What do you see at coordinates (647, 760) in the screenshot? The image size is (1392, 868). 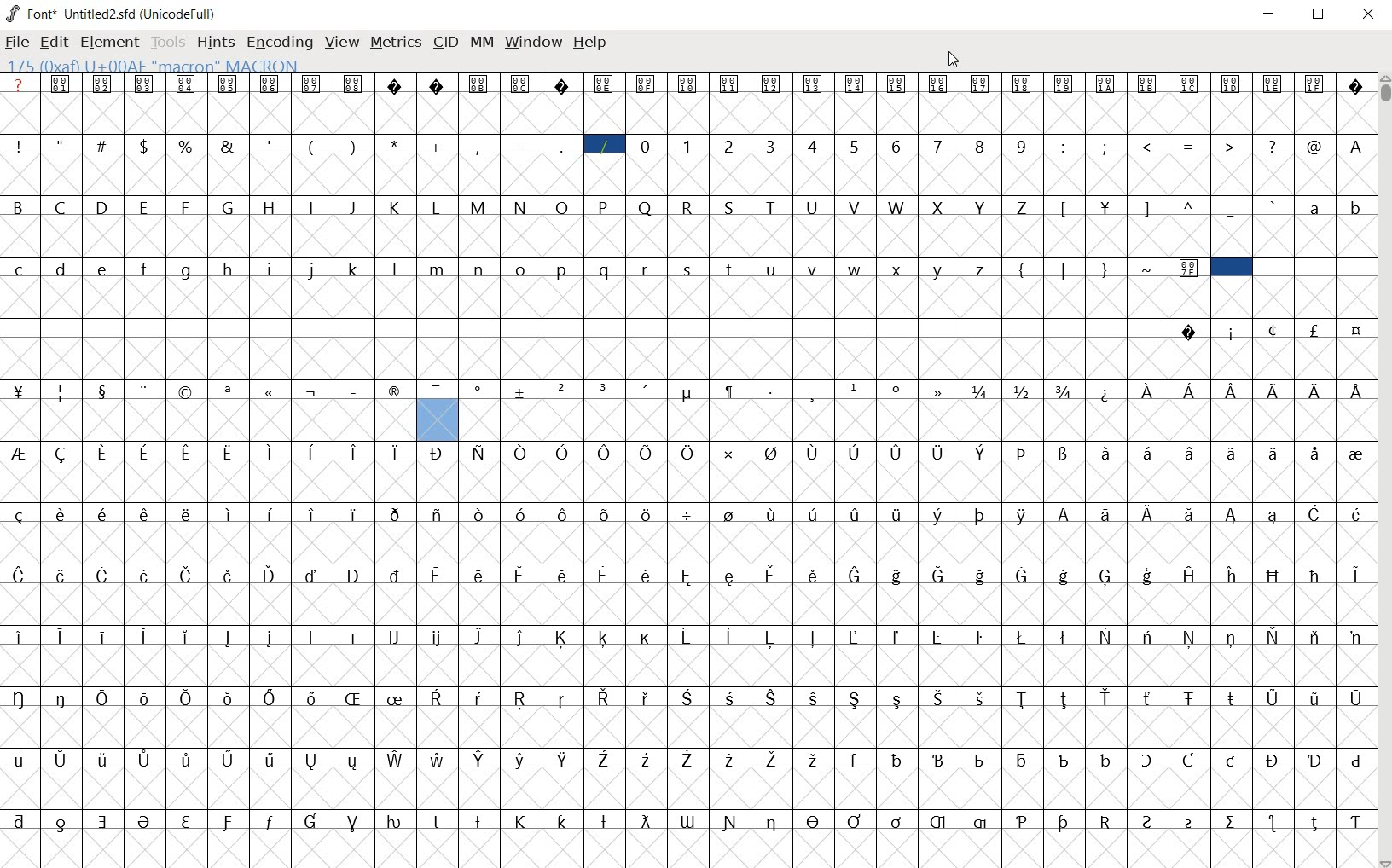 I see `Symbol` at bounding box center [647, 760].